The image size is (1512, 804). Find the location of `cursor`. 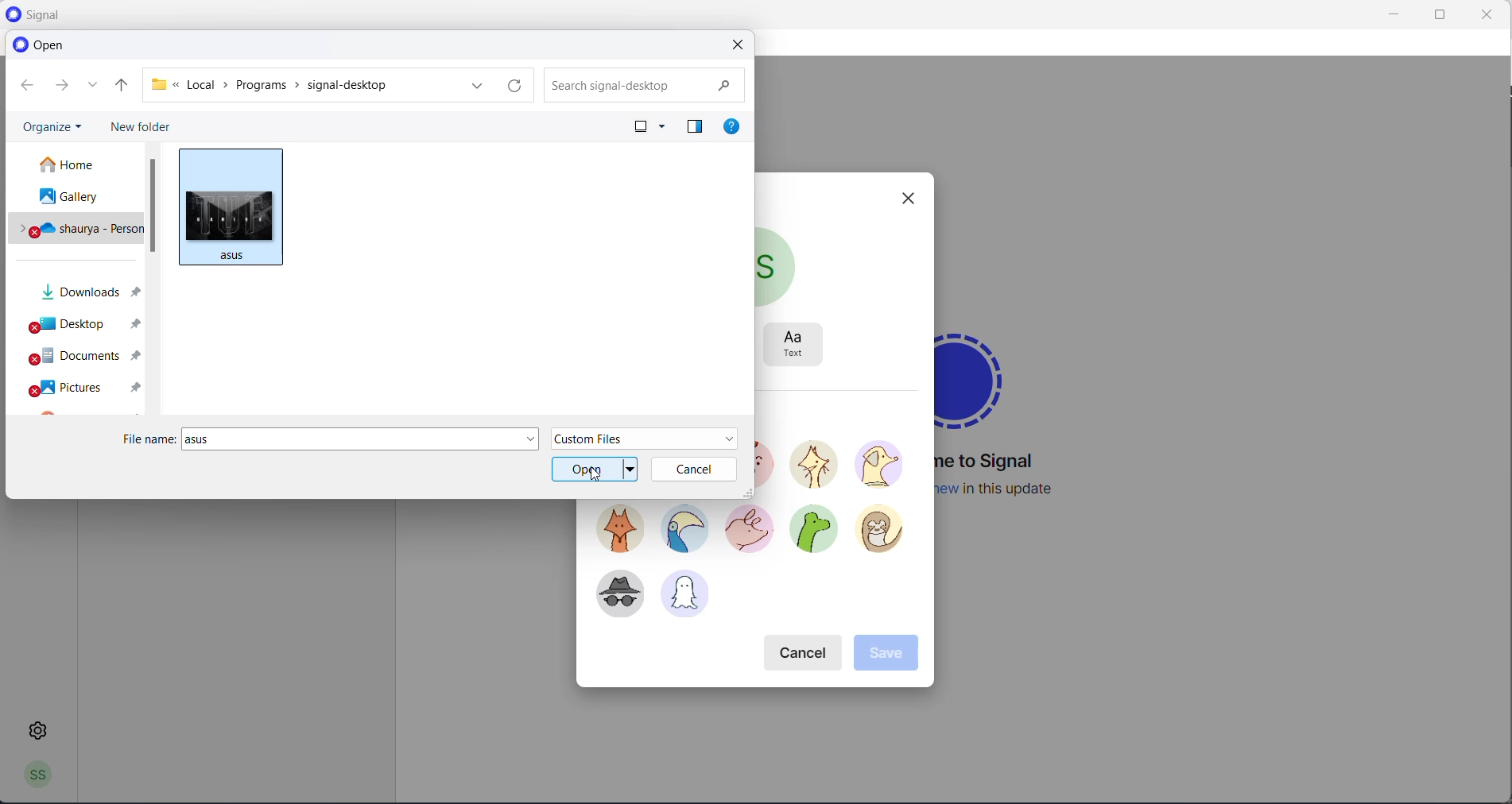

cursor is located at coordinates (231, 211).